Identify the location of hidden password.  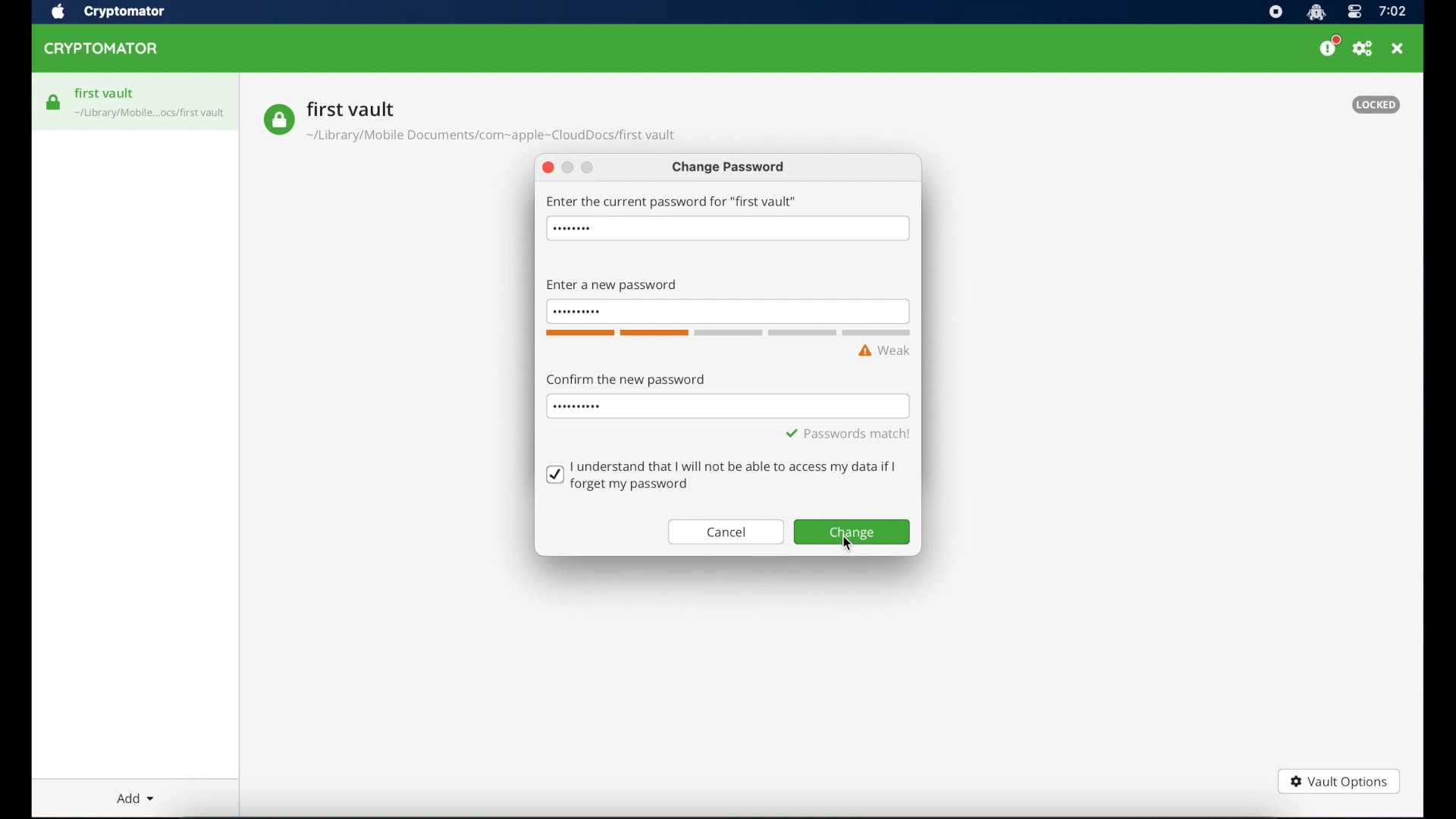
(572, 229).